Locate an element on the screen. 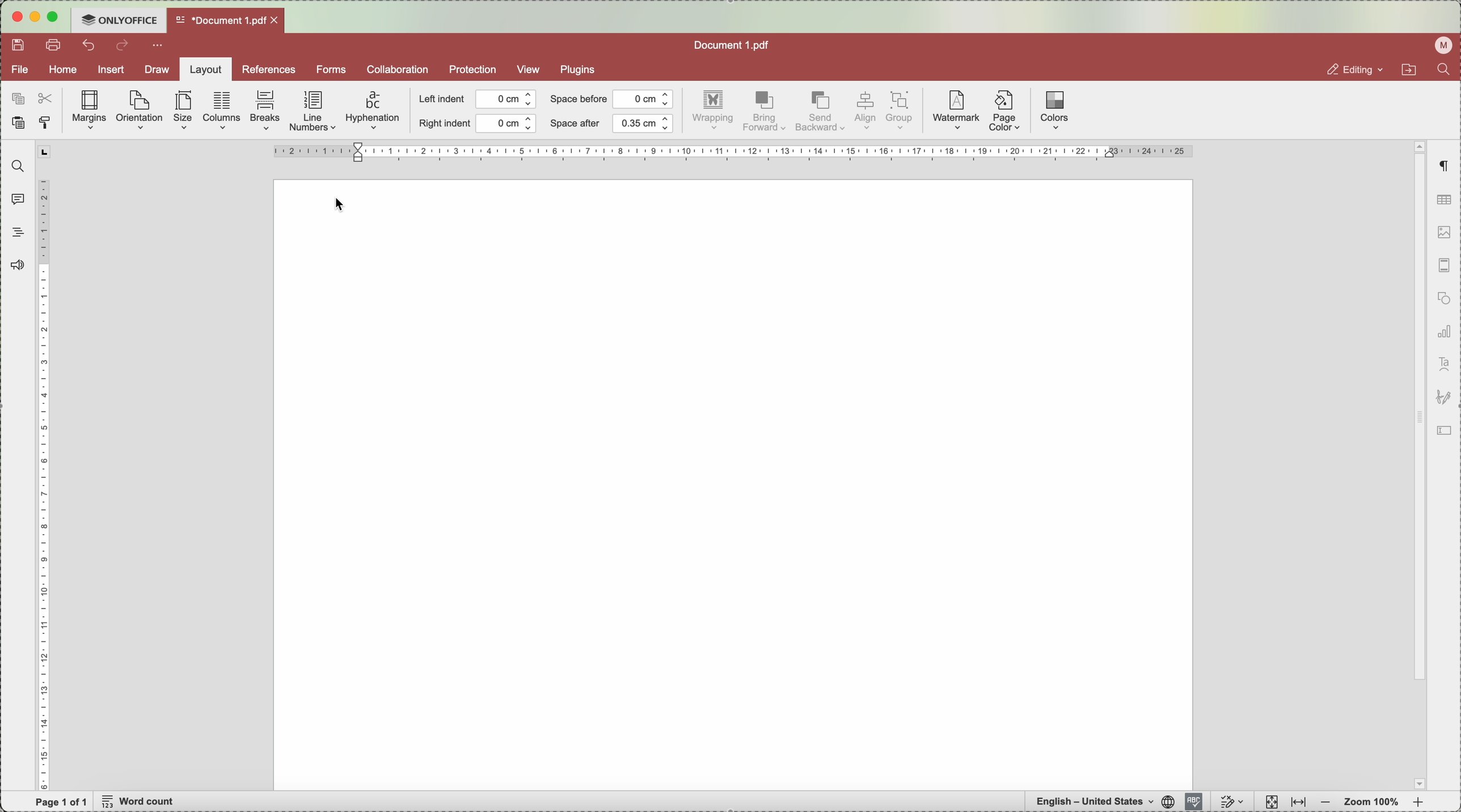 Image resolution: width=1461 pixels, height=812 pixels. cut is located at coordinates (48, 97).